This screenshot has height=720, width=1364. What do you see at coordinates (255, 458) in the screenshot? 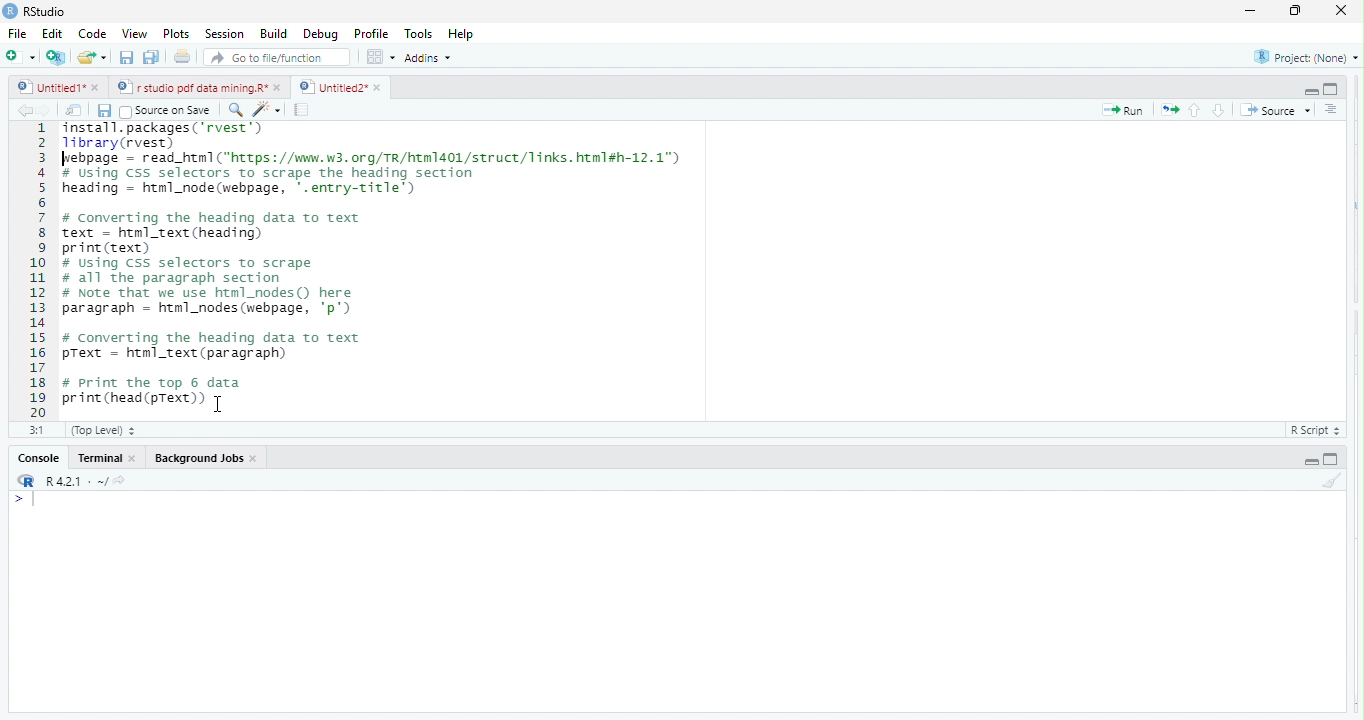
I see `close` at bounding box center [255, 458].